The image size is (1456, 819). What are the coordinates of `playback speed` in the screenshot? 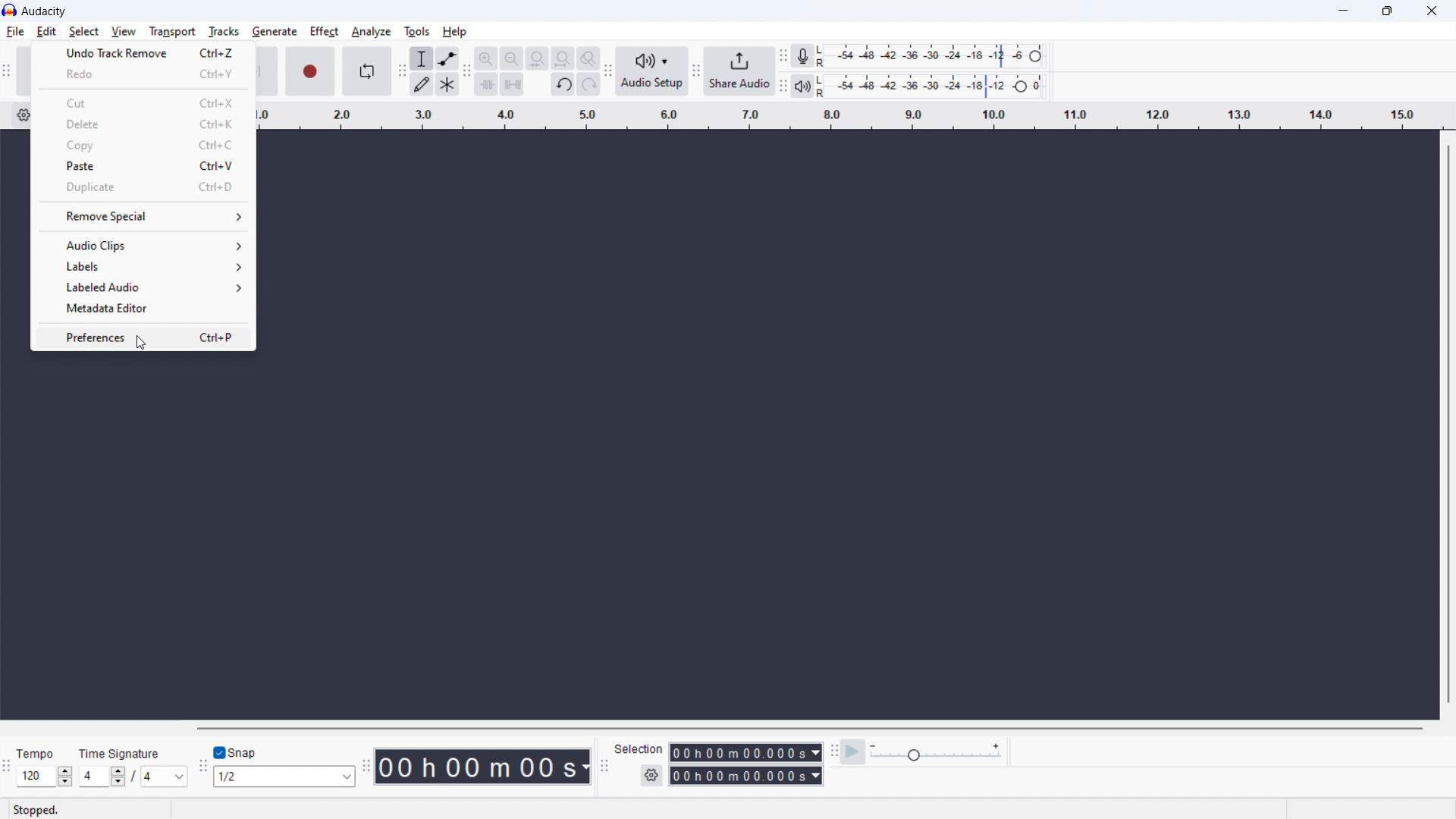 It's located at (936, 753).